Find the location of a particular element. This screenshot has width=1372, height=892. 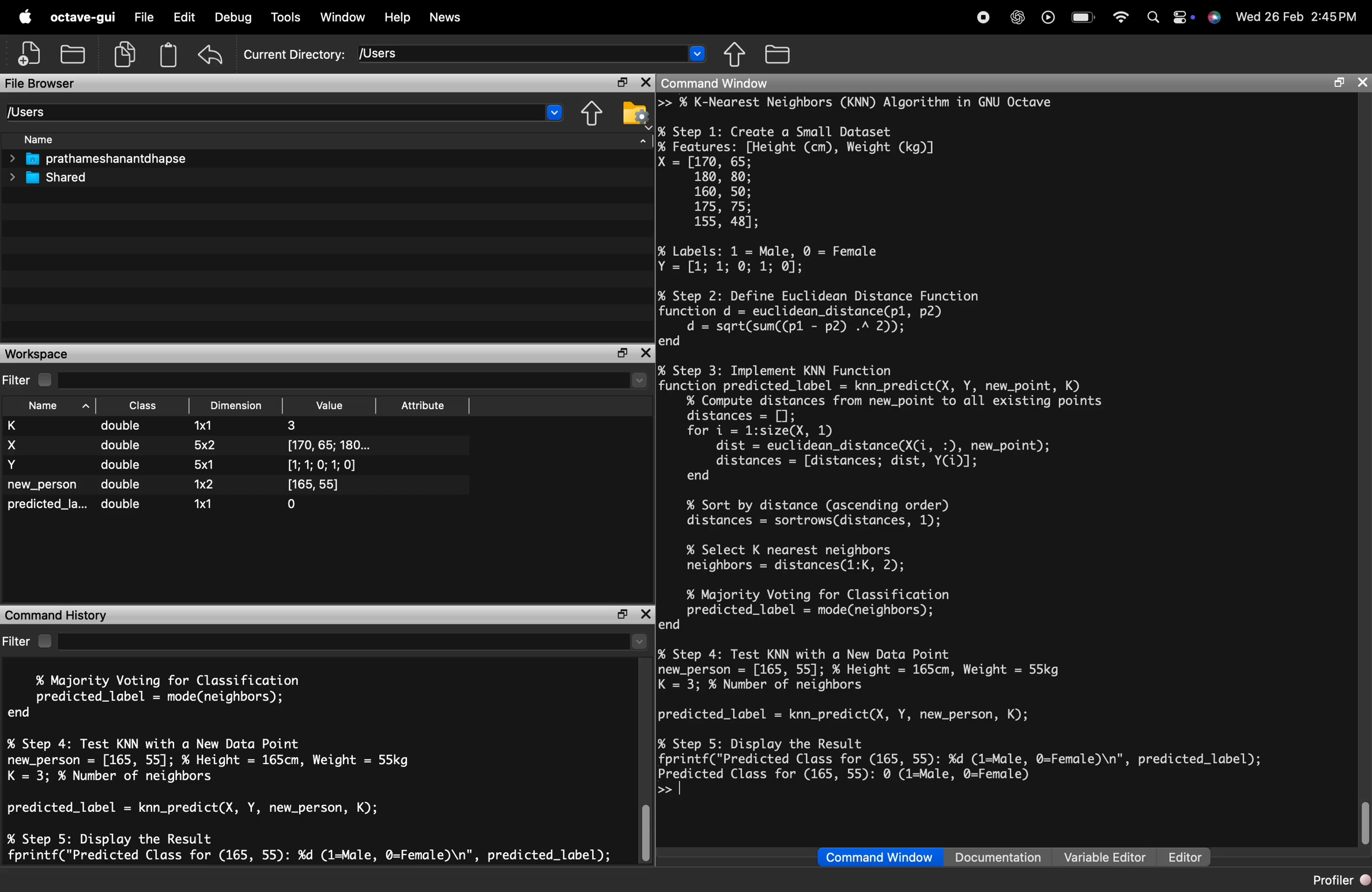

close is located at coordinates (1363, 83).